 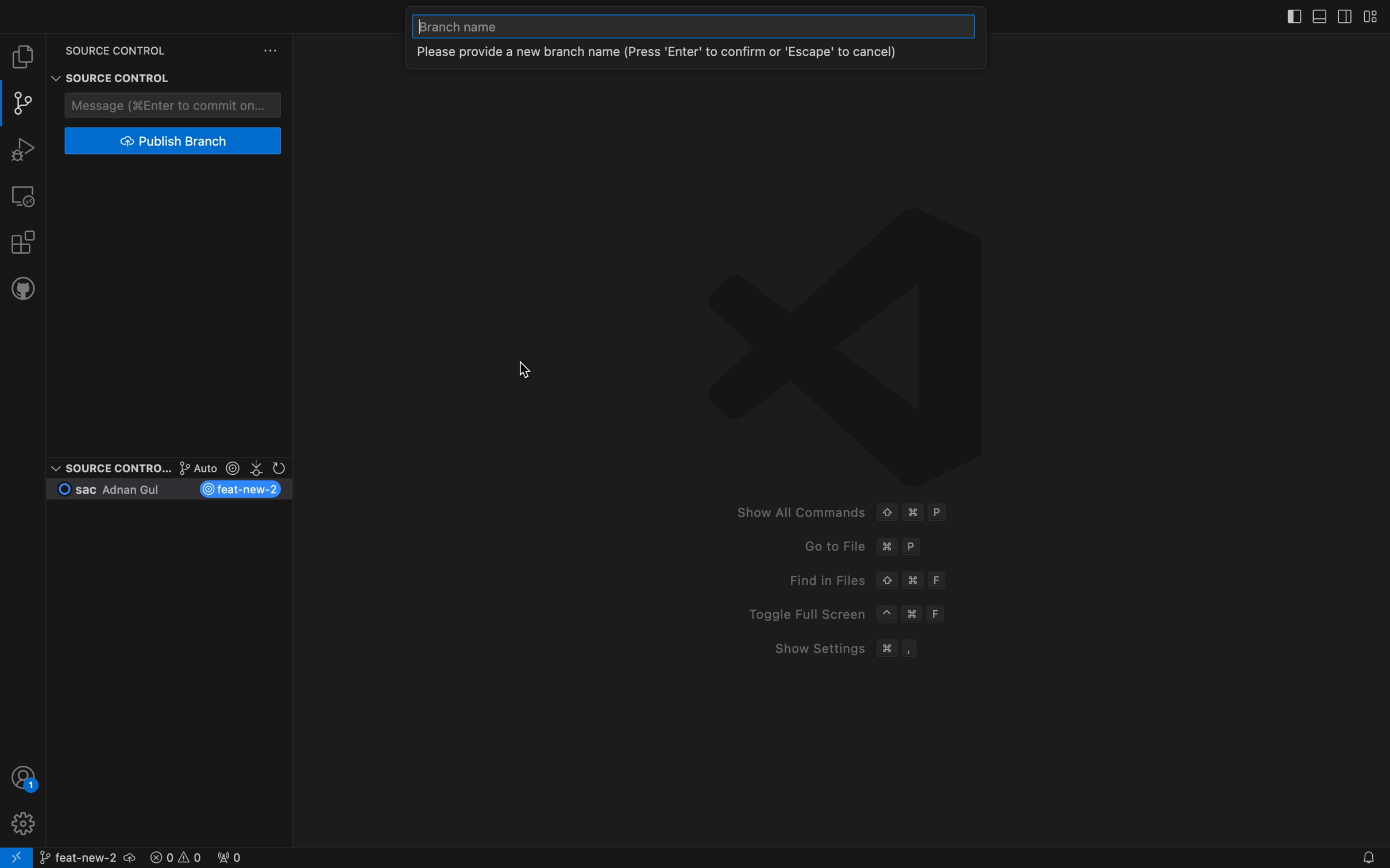 What do you see at coordinates (25, 777) in the screenshot?
I see `profile` at bounding box center [25, 777].